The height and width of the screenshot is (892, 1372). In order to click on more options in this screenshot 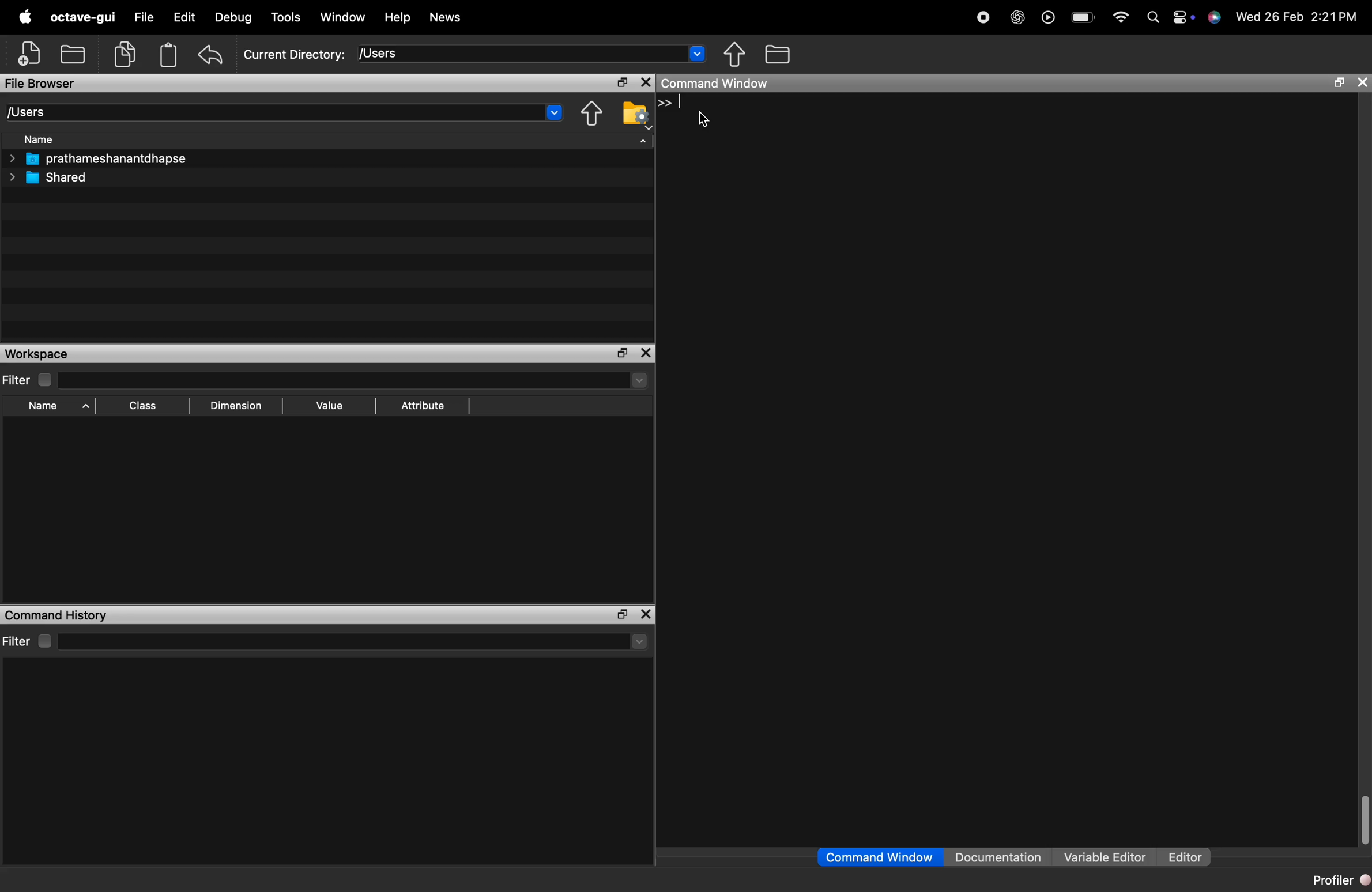, I will do `click(639, 641)`.